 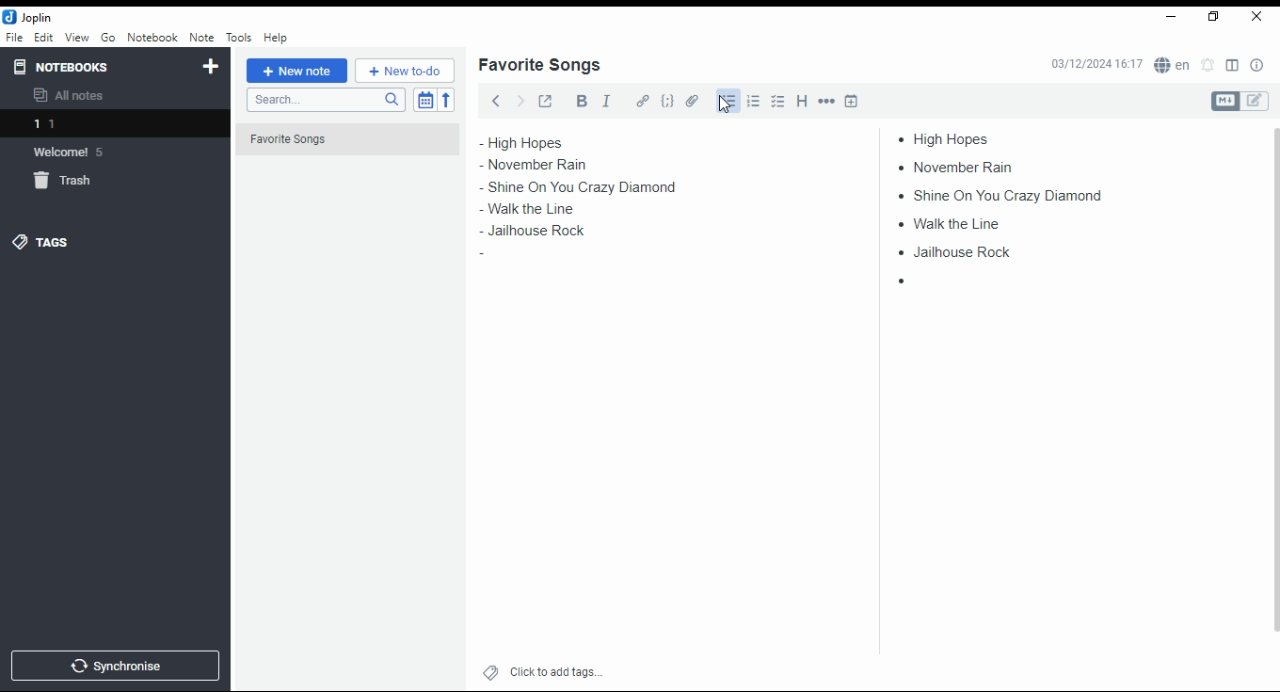 What do you see at coordinates (539, 66) in the screenshot?
I see `list name` at bounding box center [539, 66].